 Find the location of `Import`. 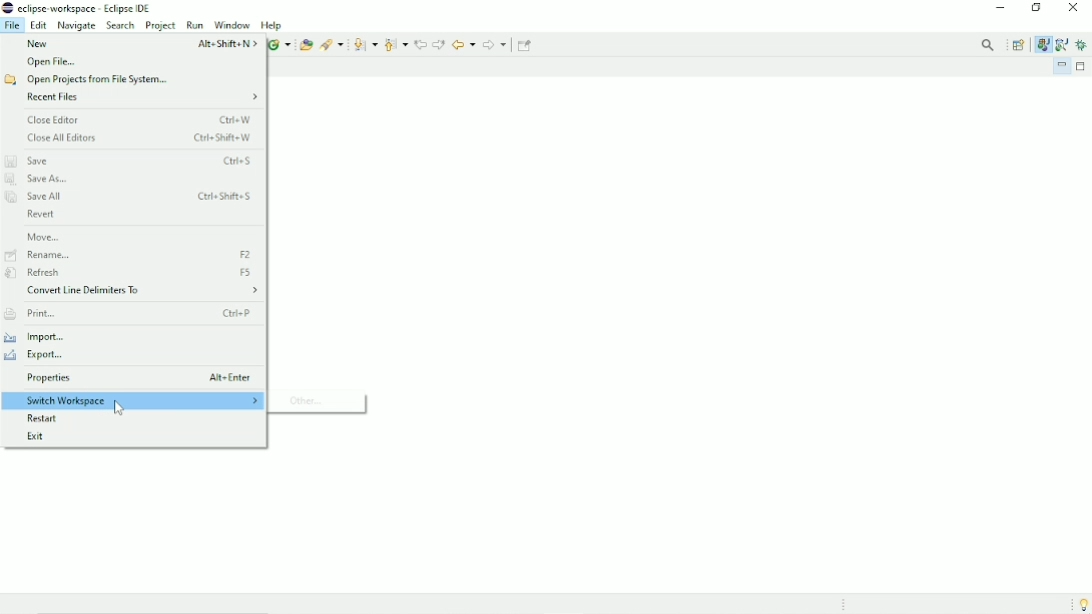

Import is located at coordinates (44, 336).